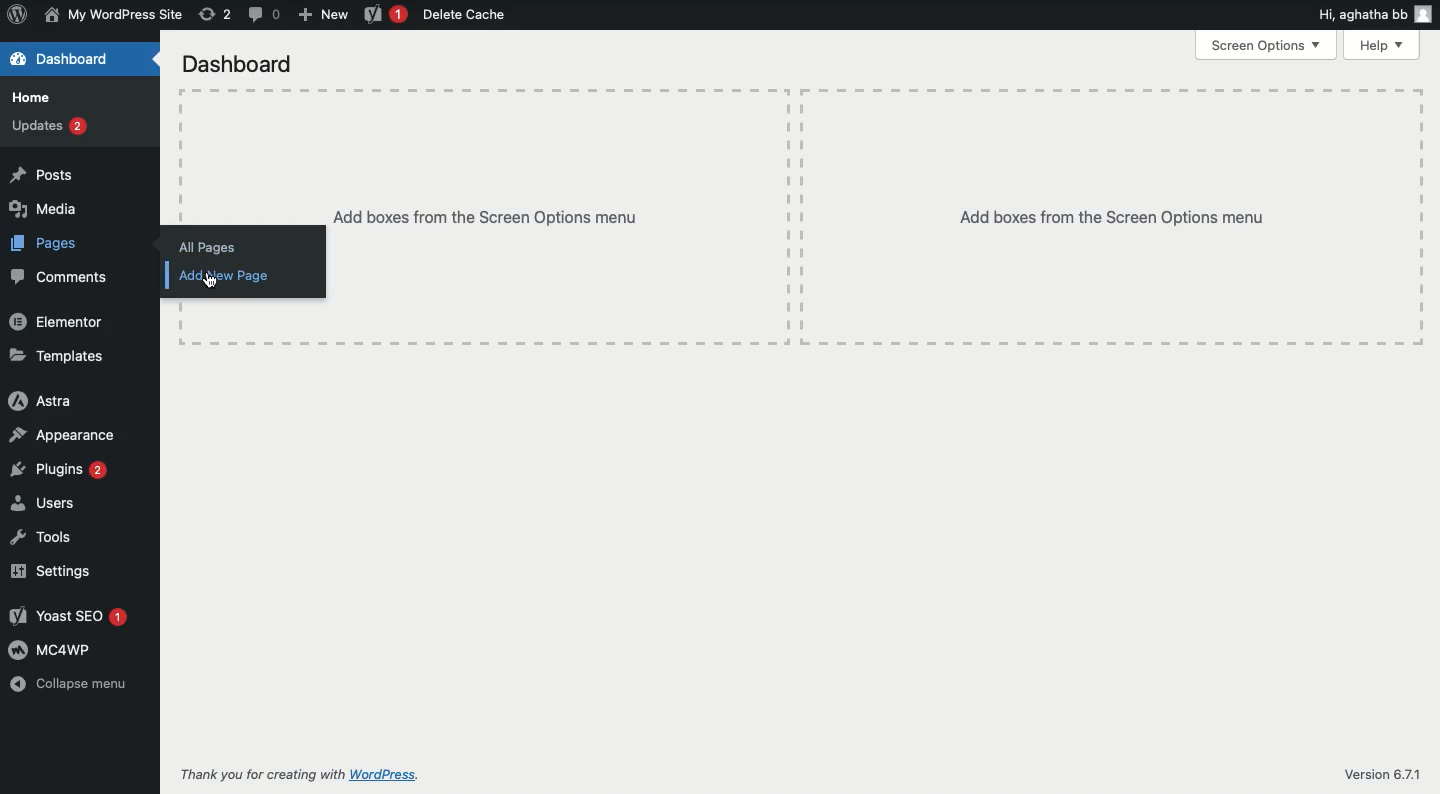 The width and height of the screenshot is (1440, 794). I want to click on Elementor, so click(59, 319).